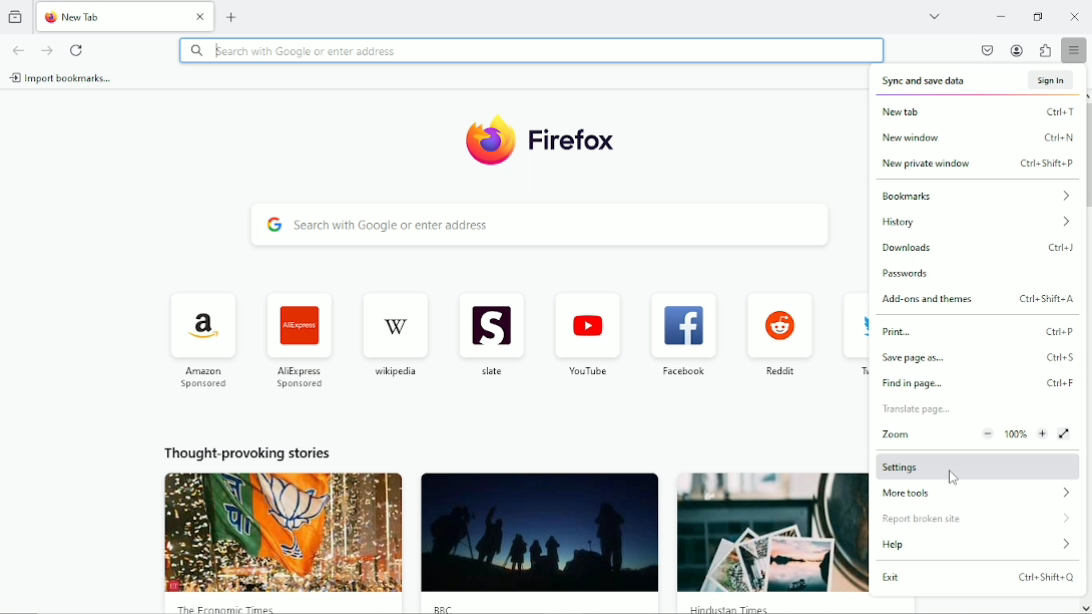 The width and height of the screenshot is (1092, 614). I want to click on History >, so click(971, 223).